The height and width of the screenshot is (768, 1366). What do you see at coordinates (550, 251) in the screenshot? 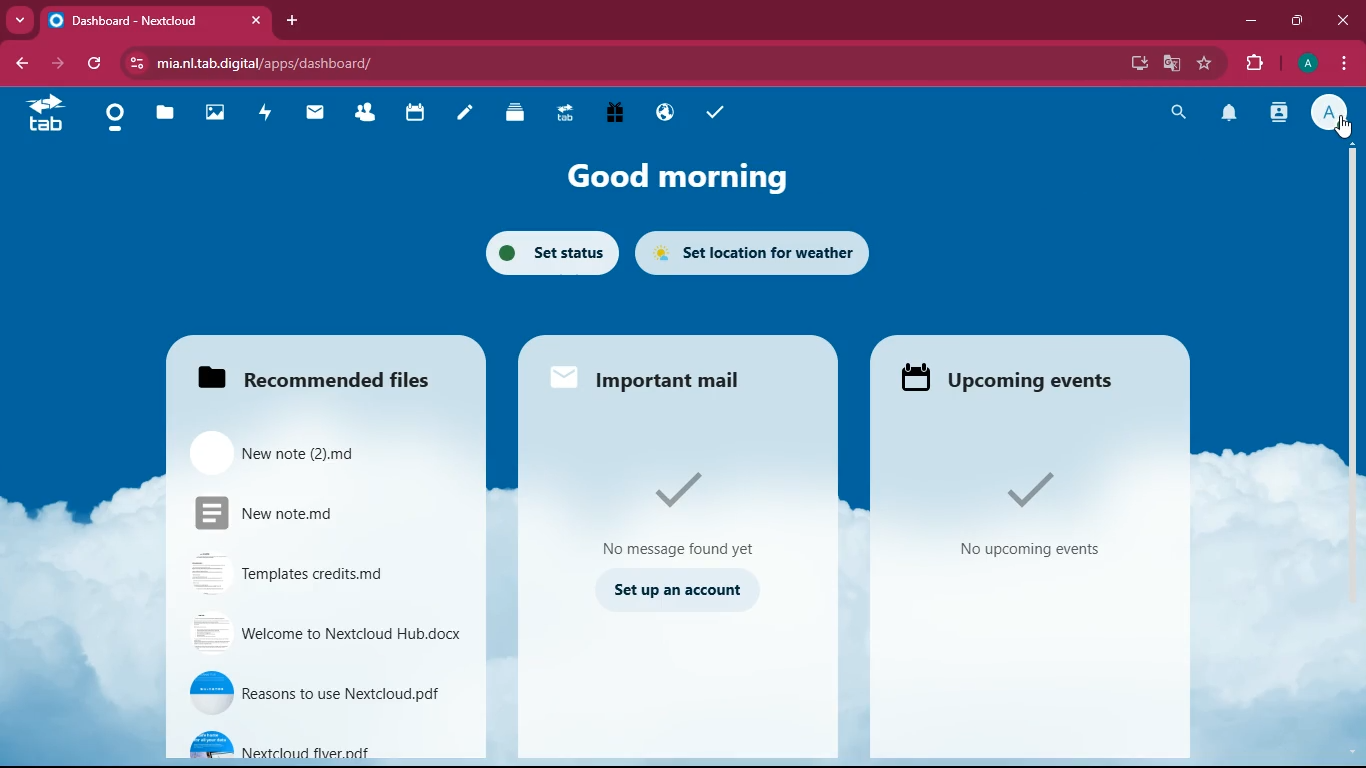
I see `set status` at bounding box center [550, 251].